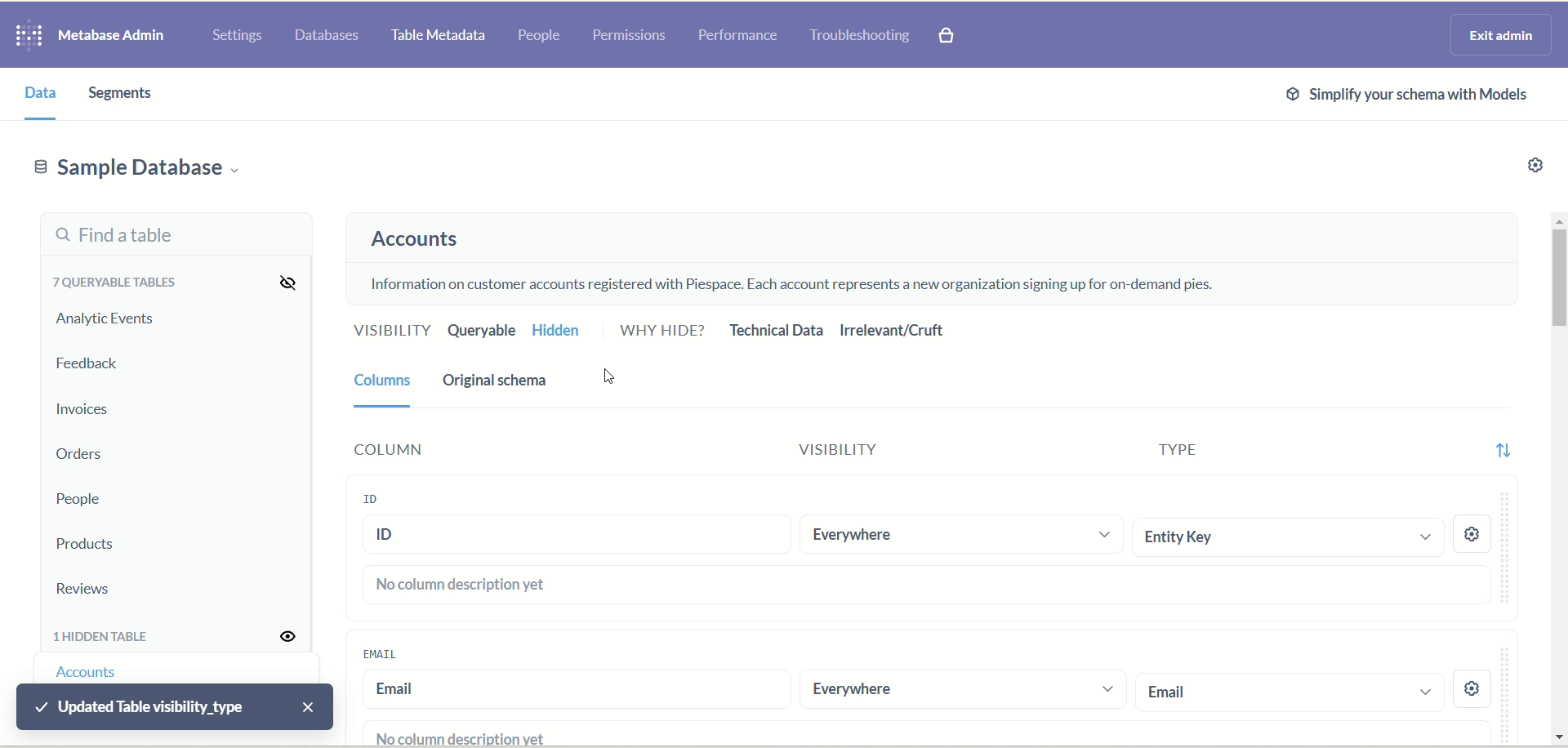  Describe the element at coordinates (482, 333) in the screenshot. I see `queryable` at that location.